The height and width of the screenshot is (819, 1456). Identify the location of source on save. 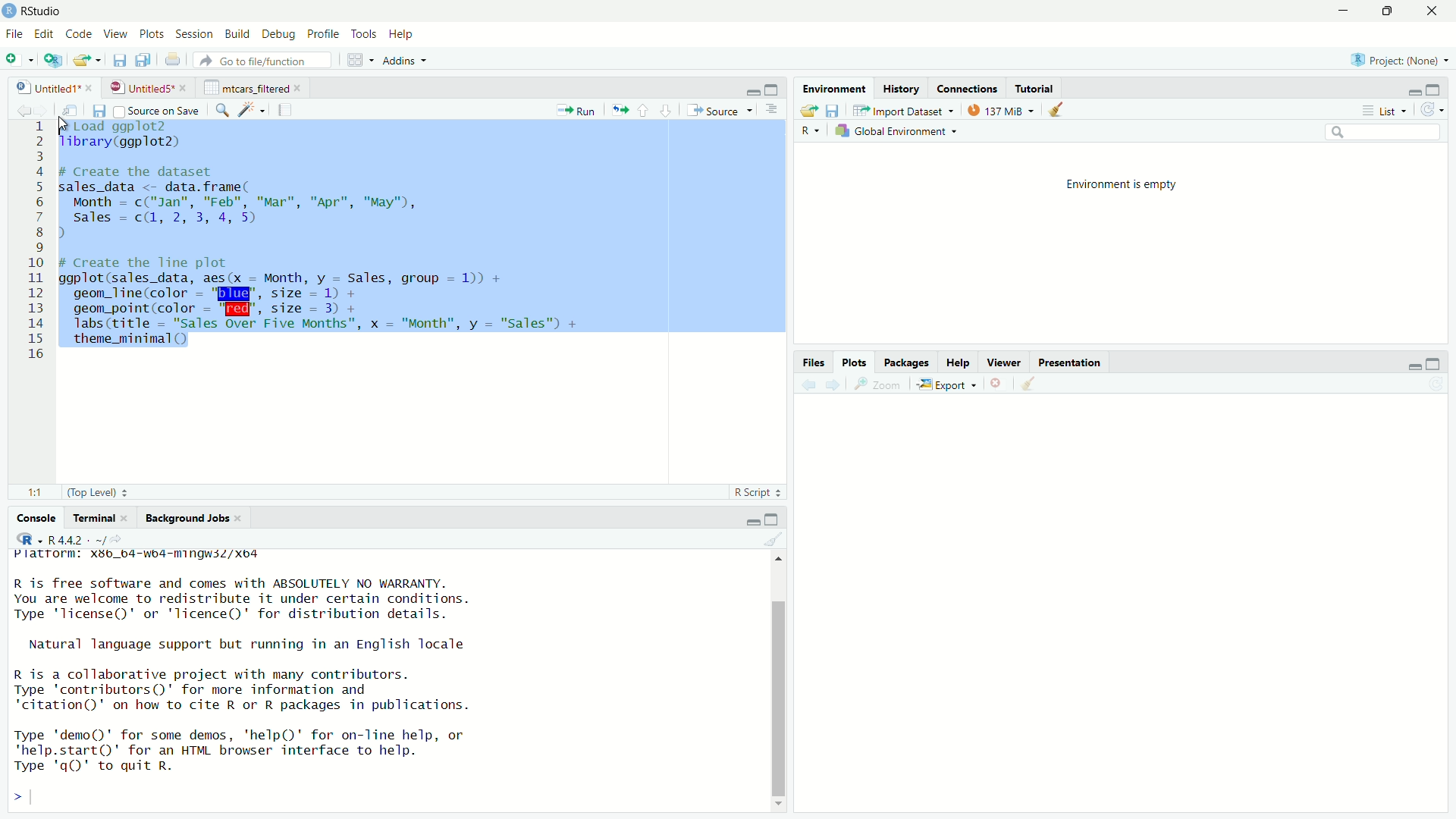
(158, 111).